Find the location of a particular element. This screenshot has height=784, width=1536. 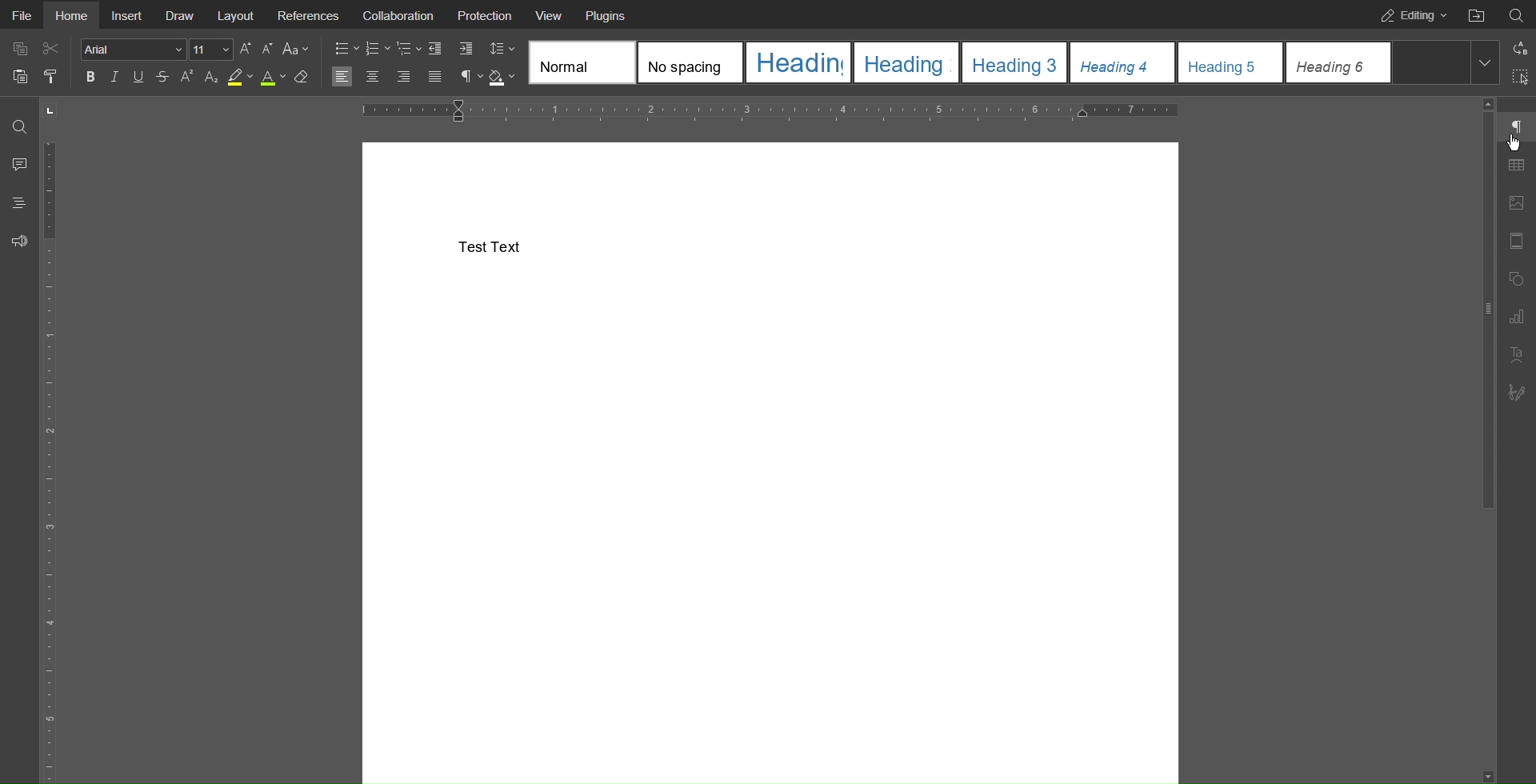

Underline is located at coordinates (137, 77).